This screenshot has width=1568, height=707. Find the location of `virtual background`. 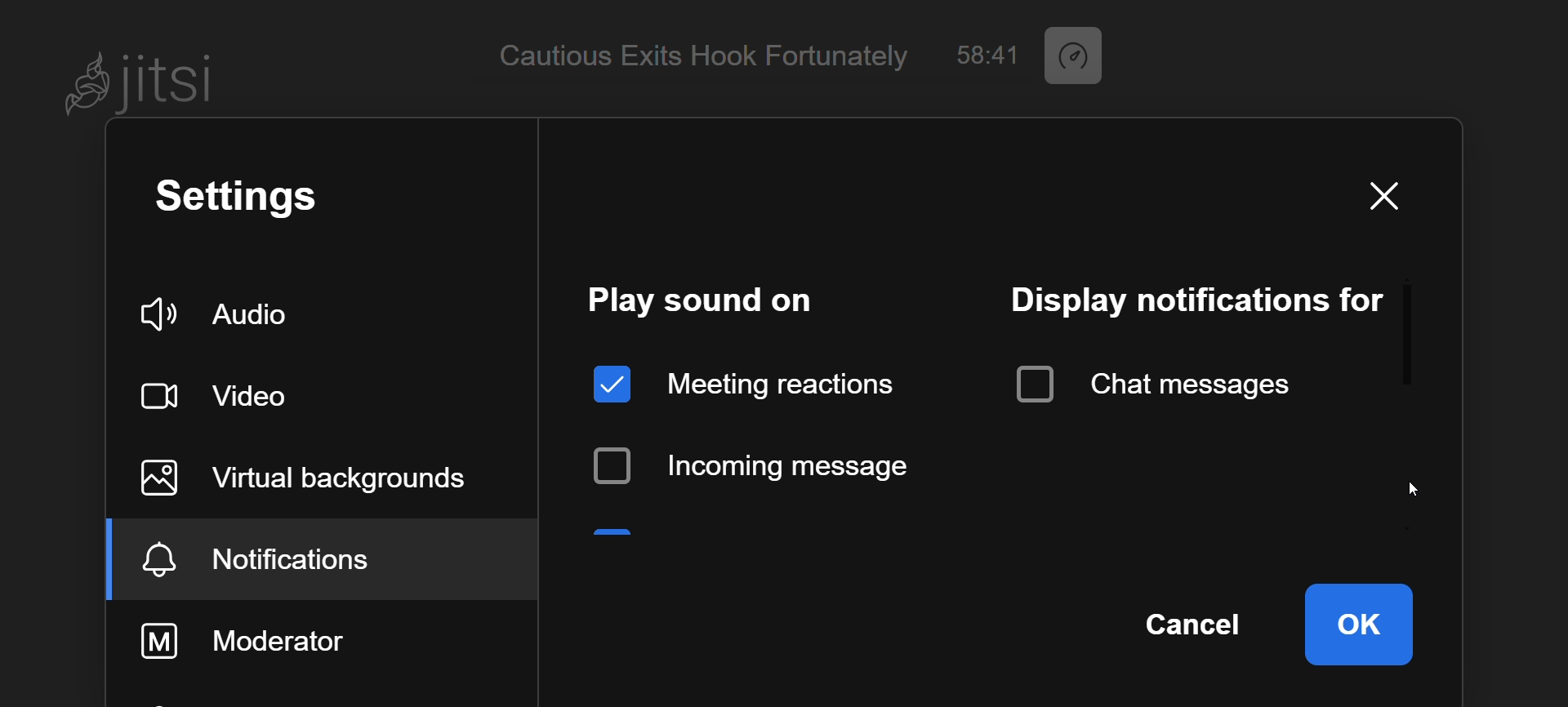

virtual background is located at coordinates (308, 475).